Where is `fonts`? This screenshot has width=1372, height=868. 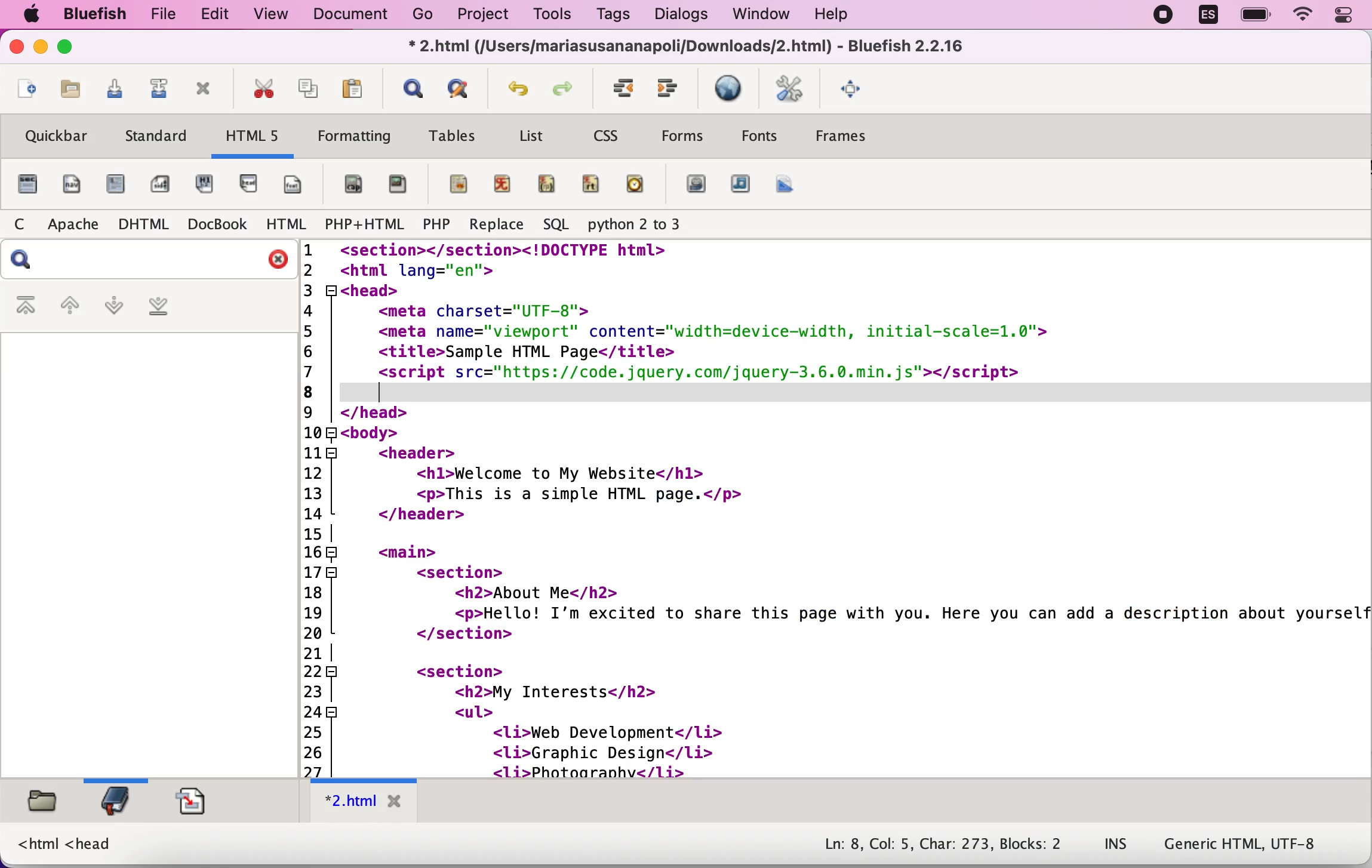 fonts is located at coordinates (759, 139).